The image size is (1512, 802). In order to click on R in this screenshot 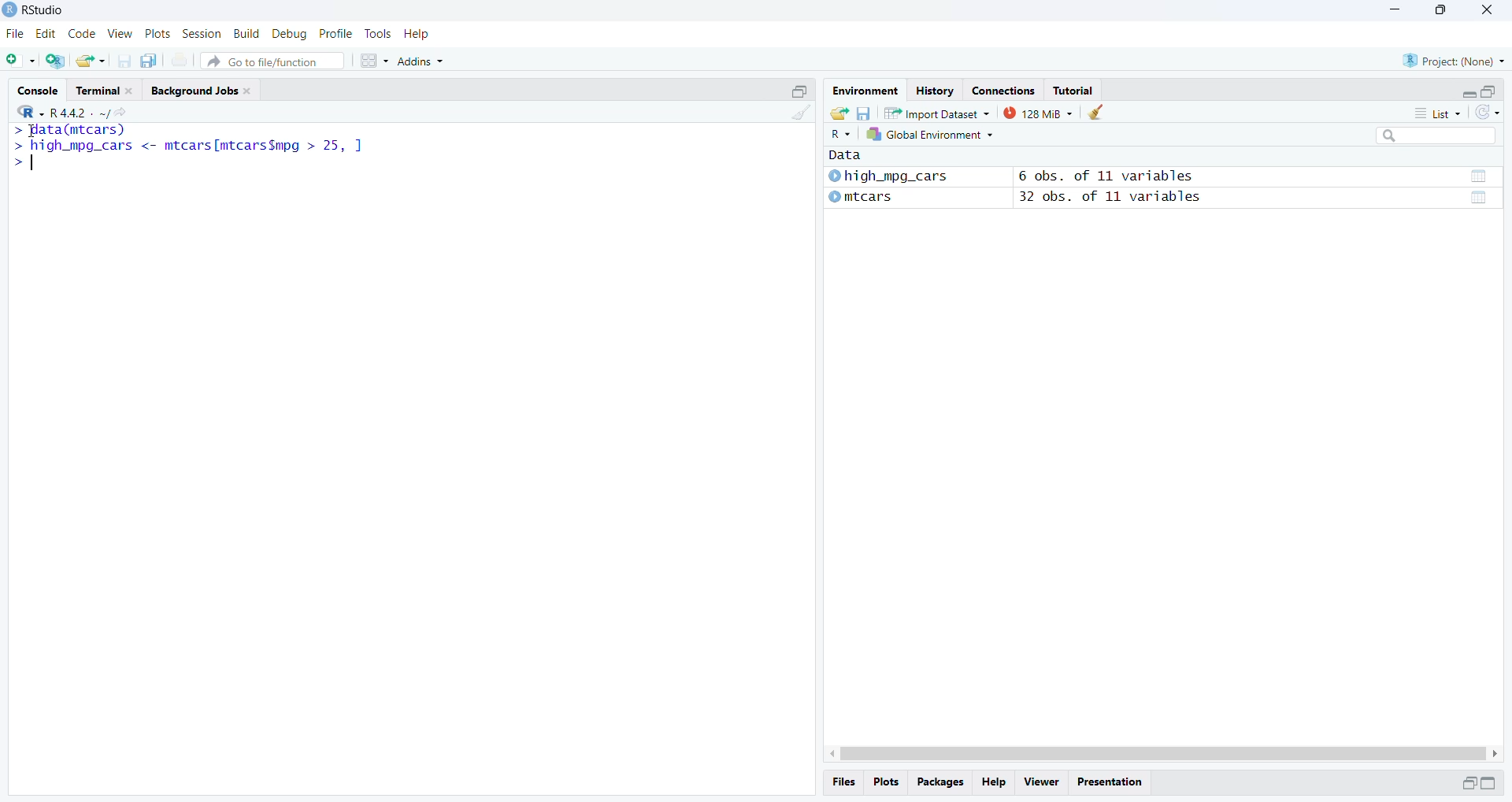, I will do `click(838, 136)`.